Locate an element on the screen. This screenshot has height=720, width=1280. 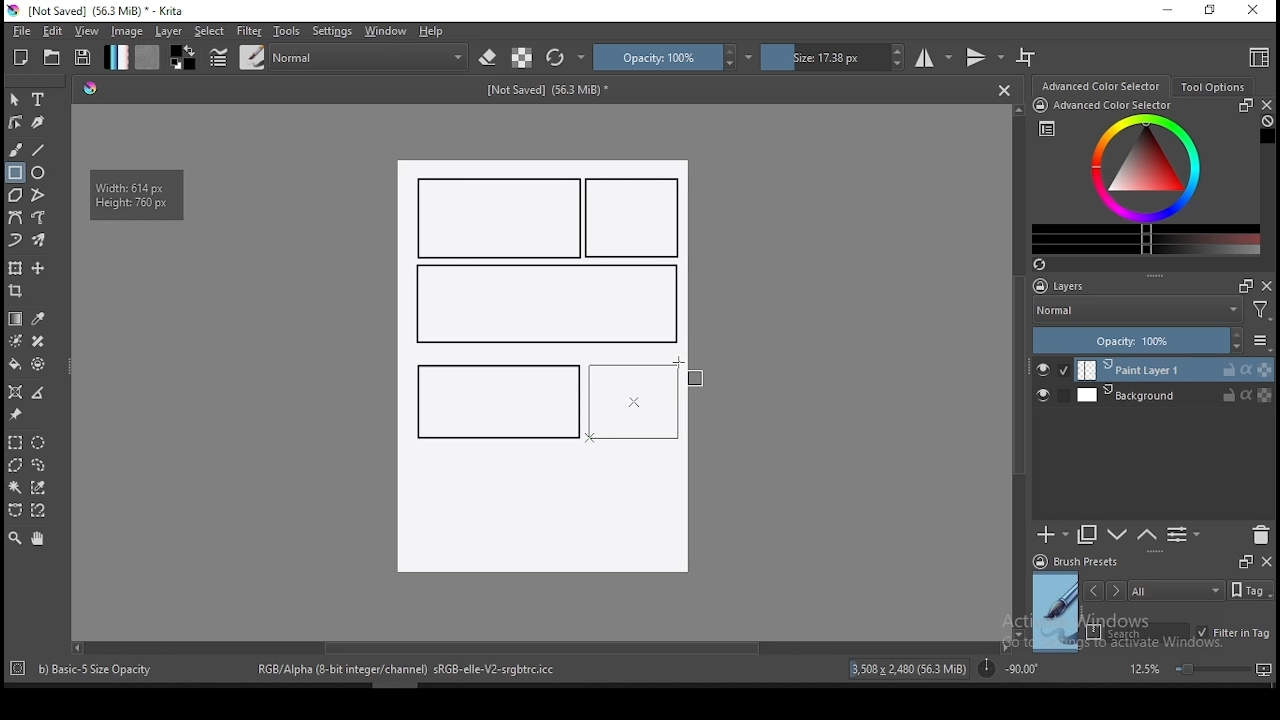
view is located at coordinates (86, 31).